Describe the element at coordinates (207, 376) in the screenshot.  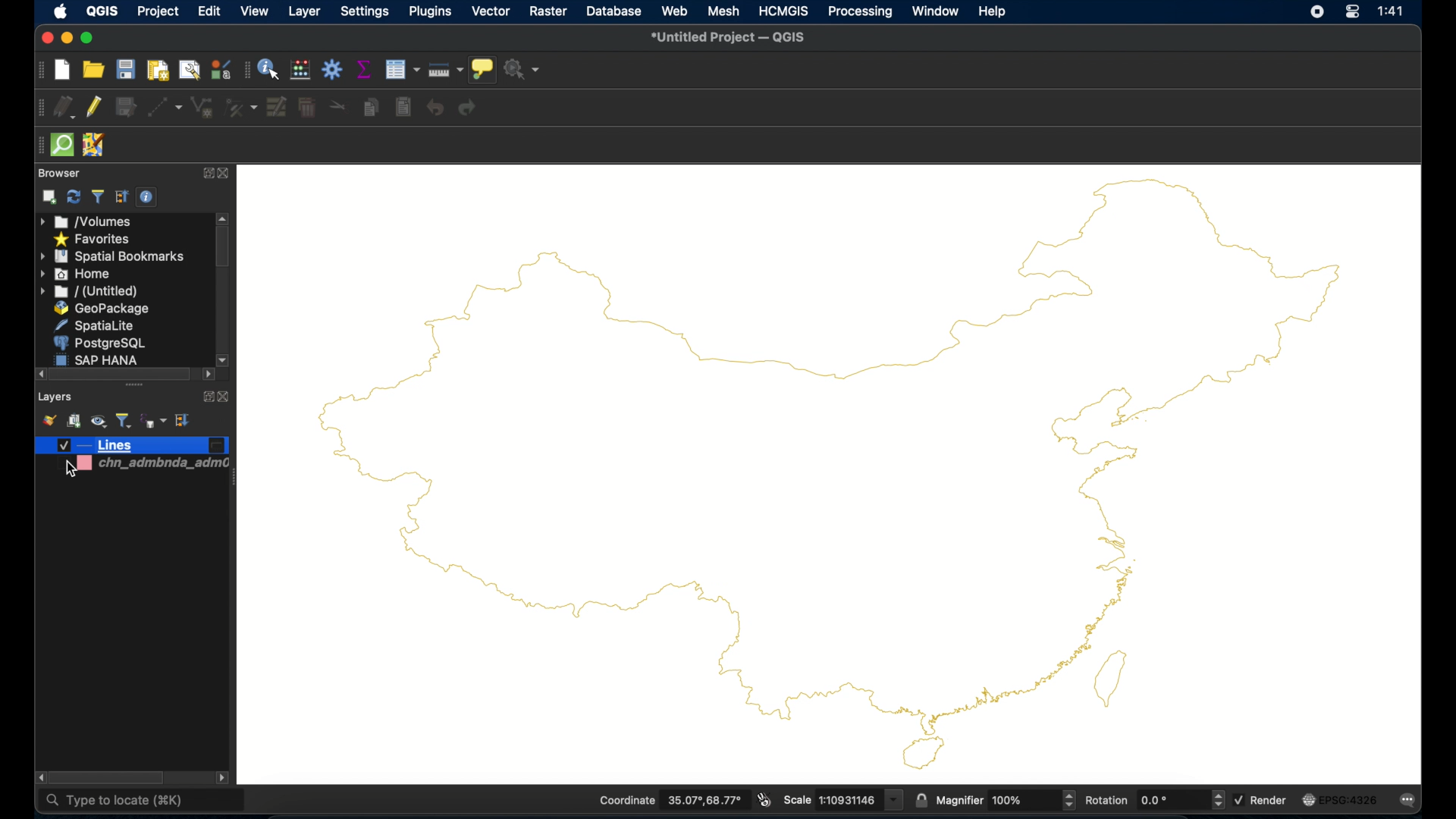
I see `scrol lleft arrow` at that location.